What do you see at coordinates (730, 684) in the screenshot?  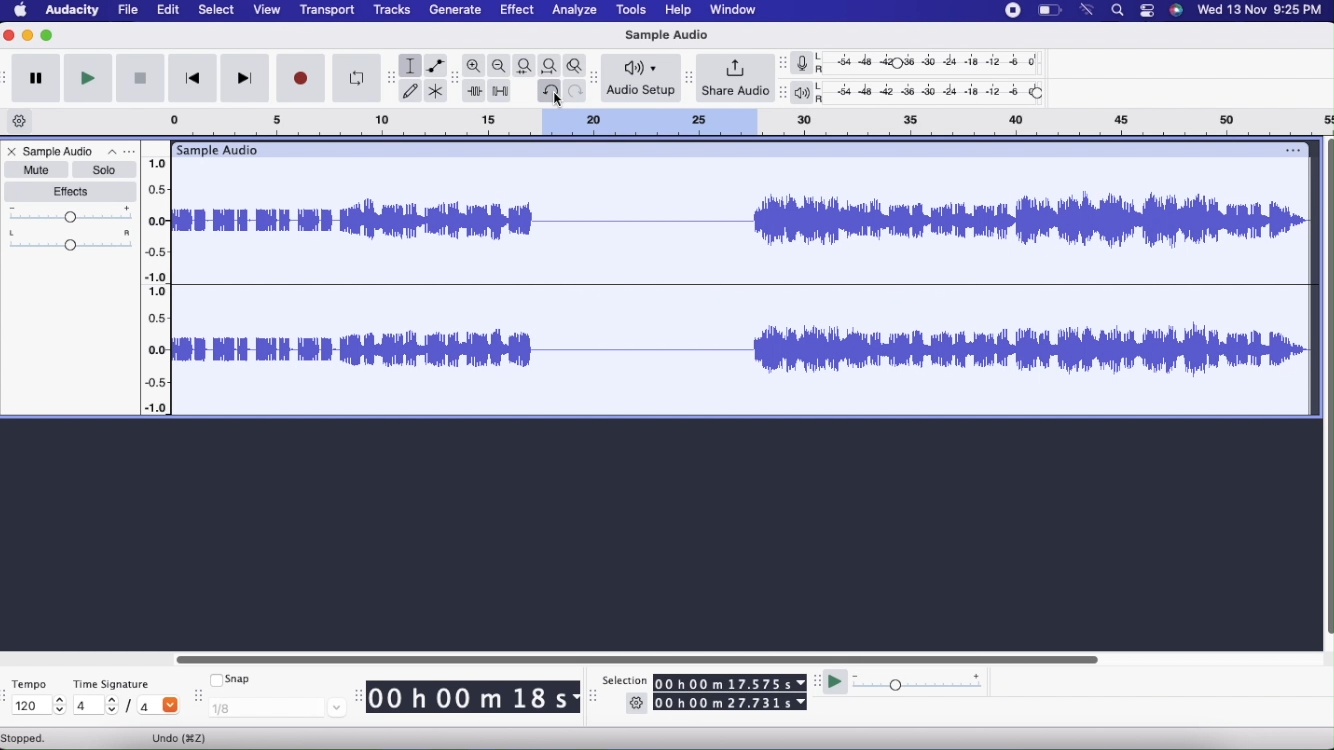 I see `00 h 00 m 17.575 s` at bounding box center [730, 684].